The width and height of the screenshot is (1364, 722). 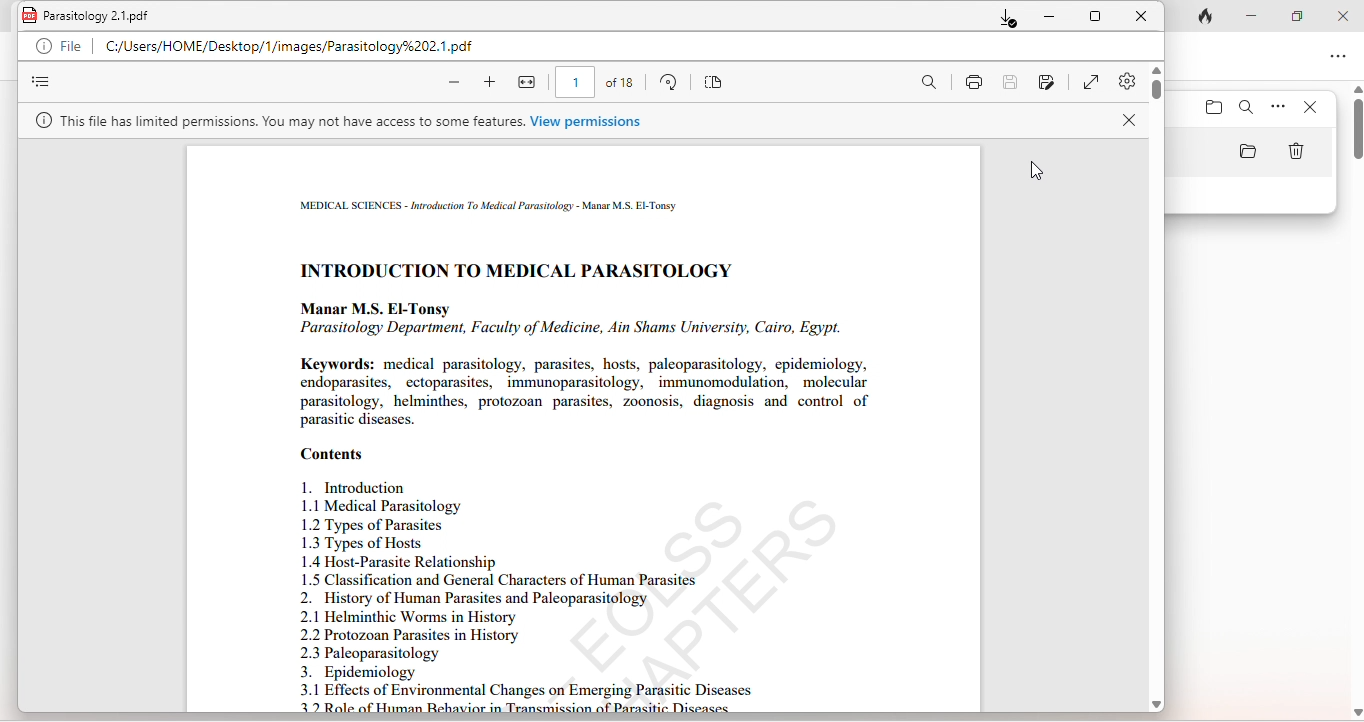 I want to click on View permissions, so click(x=592, y=121).